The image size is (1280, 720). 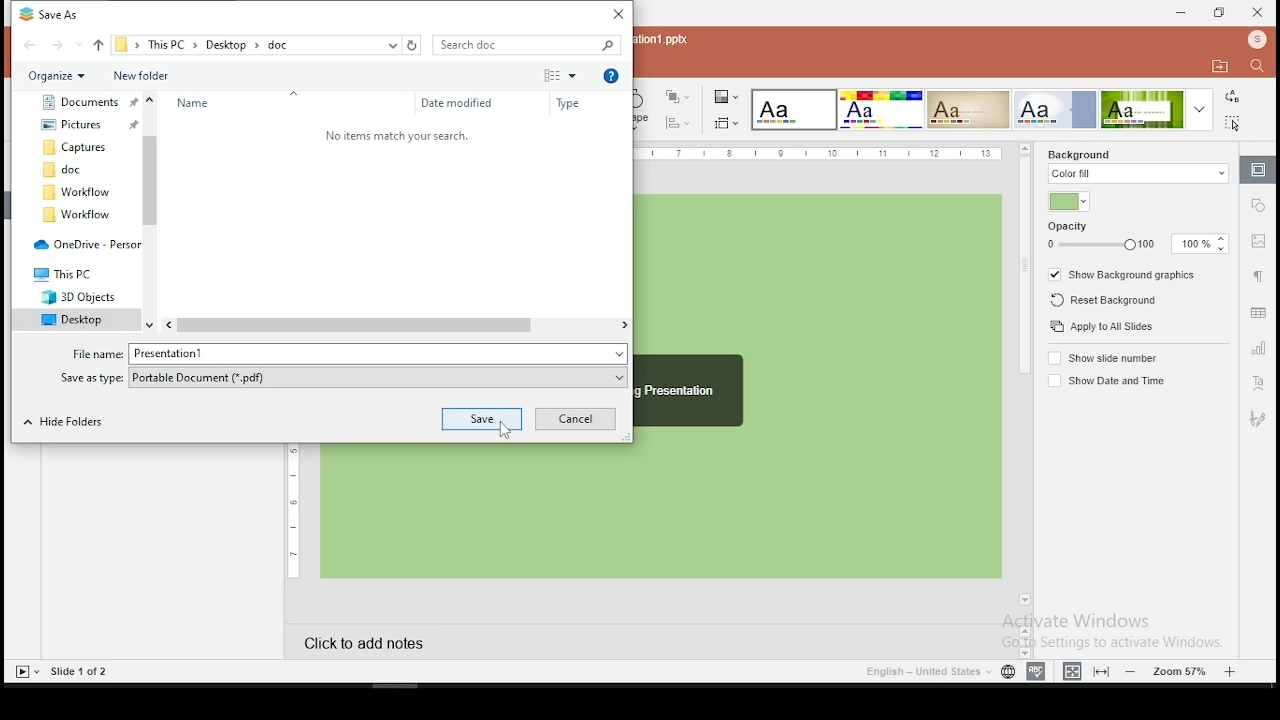 What do you see at coordinates (615, 14) in the screenshot?
I see `Close` at bounding box center [615, 14].